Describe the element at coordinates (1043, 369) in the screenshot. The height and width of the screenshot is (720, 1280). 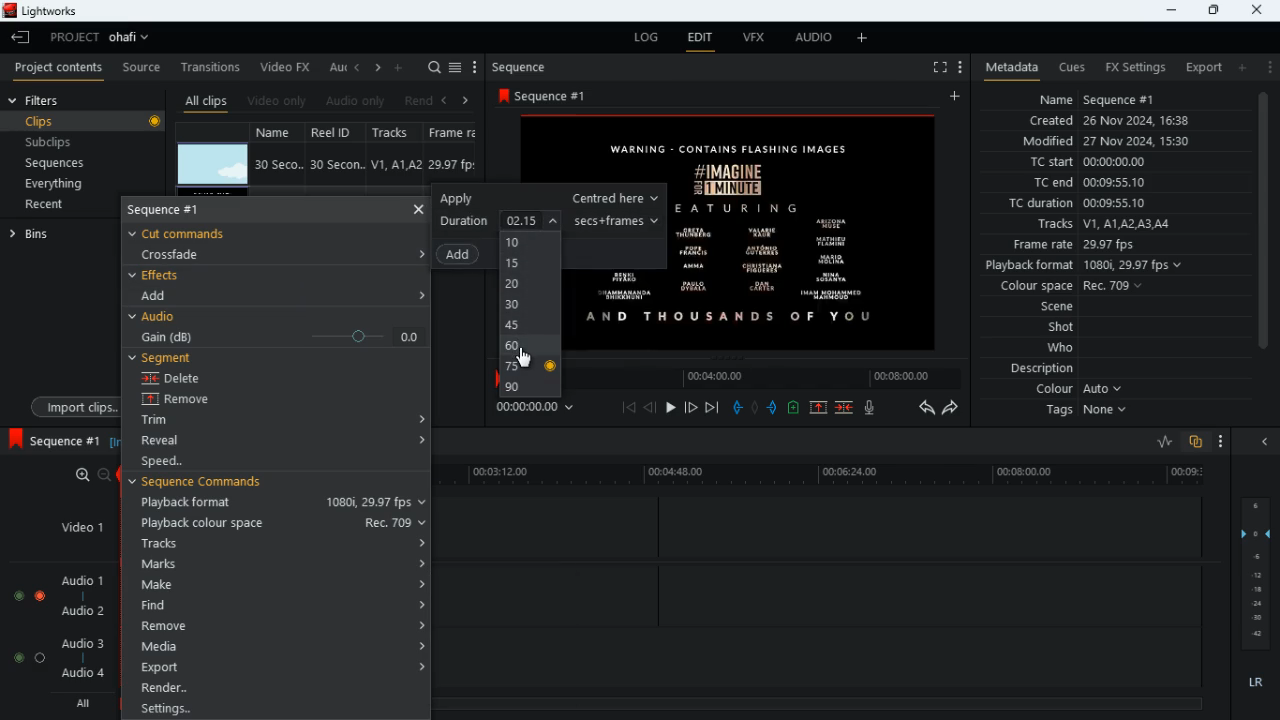
I see `description` at that location.